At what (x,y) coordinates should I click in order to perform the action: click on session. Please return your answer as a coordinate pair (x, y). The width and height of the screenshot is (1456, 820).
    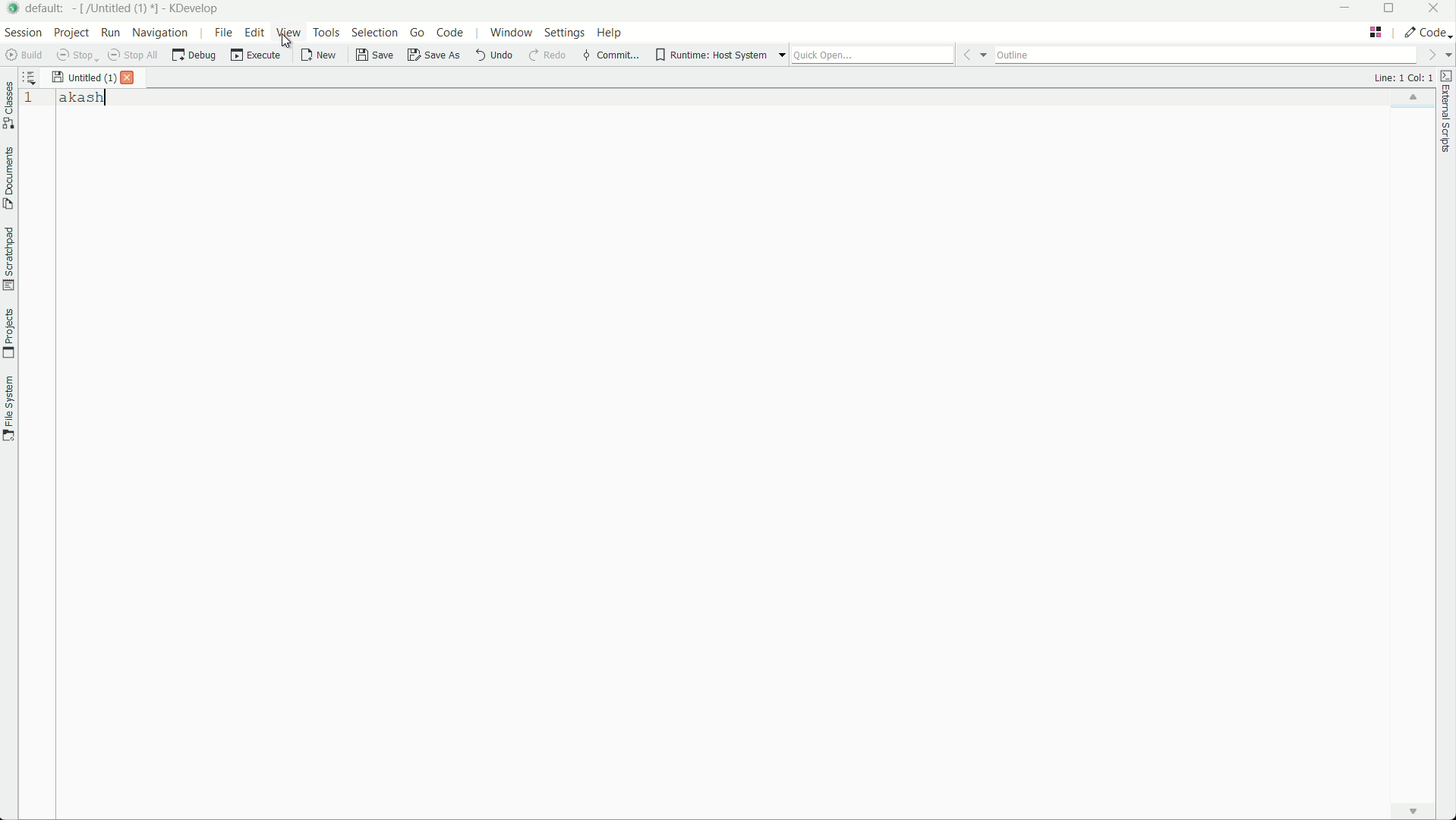
    Looking at the image, I should click on (24, 33).